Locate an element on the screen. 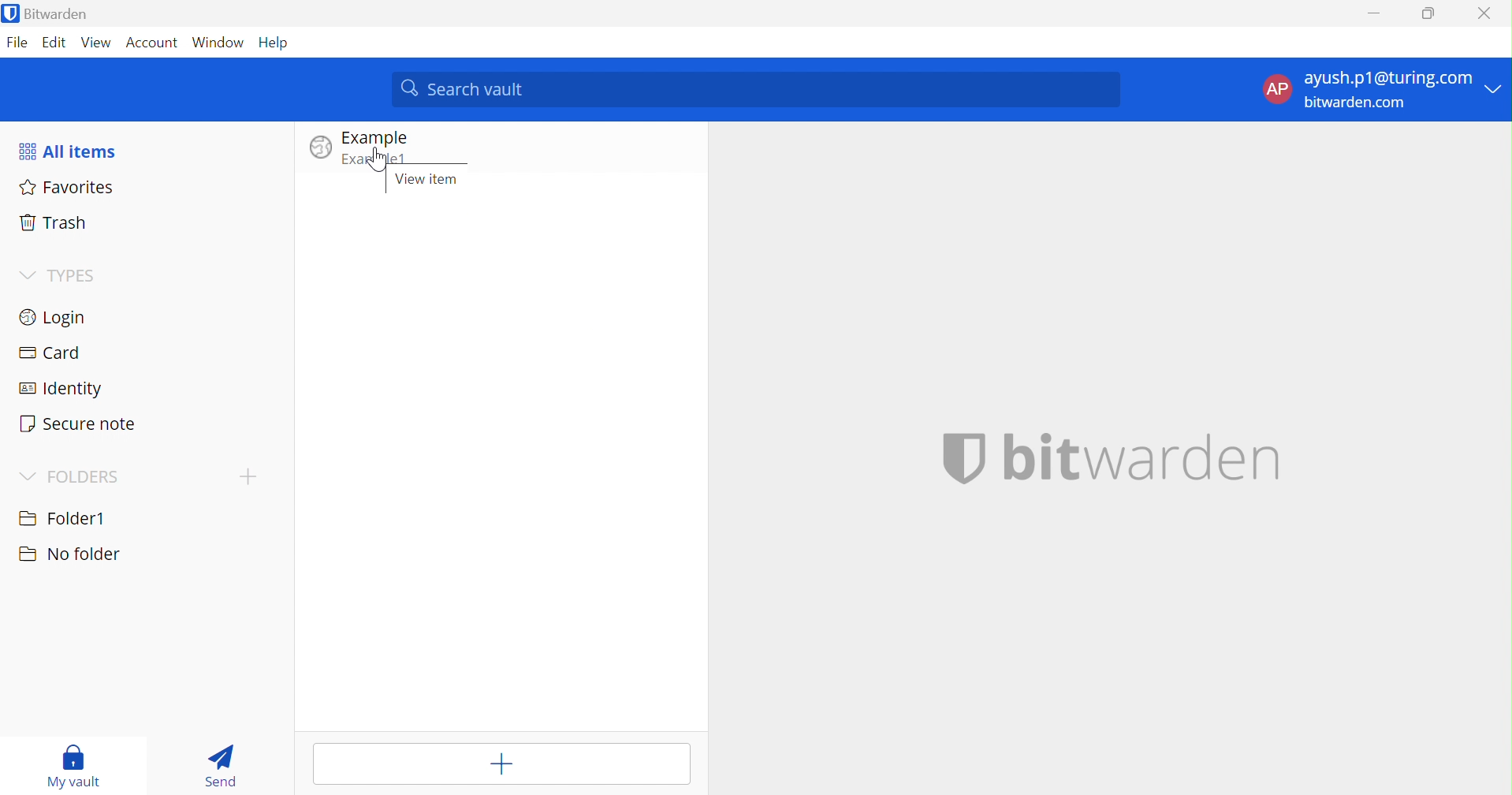 The height and width of the screenshot is (795, 1512). Drop Down is located at coordinates (25, 274).